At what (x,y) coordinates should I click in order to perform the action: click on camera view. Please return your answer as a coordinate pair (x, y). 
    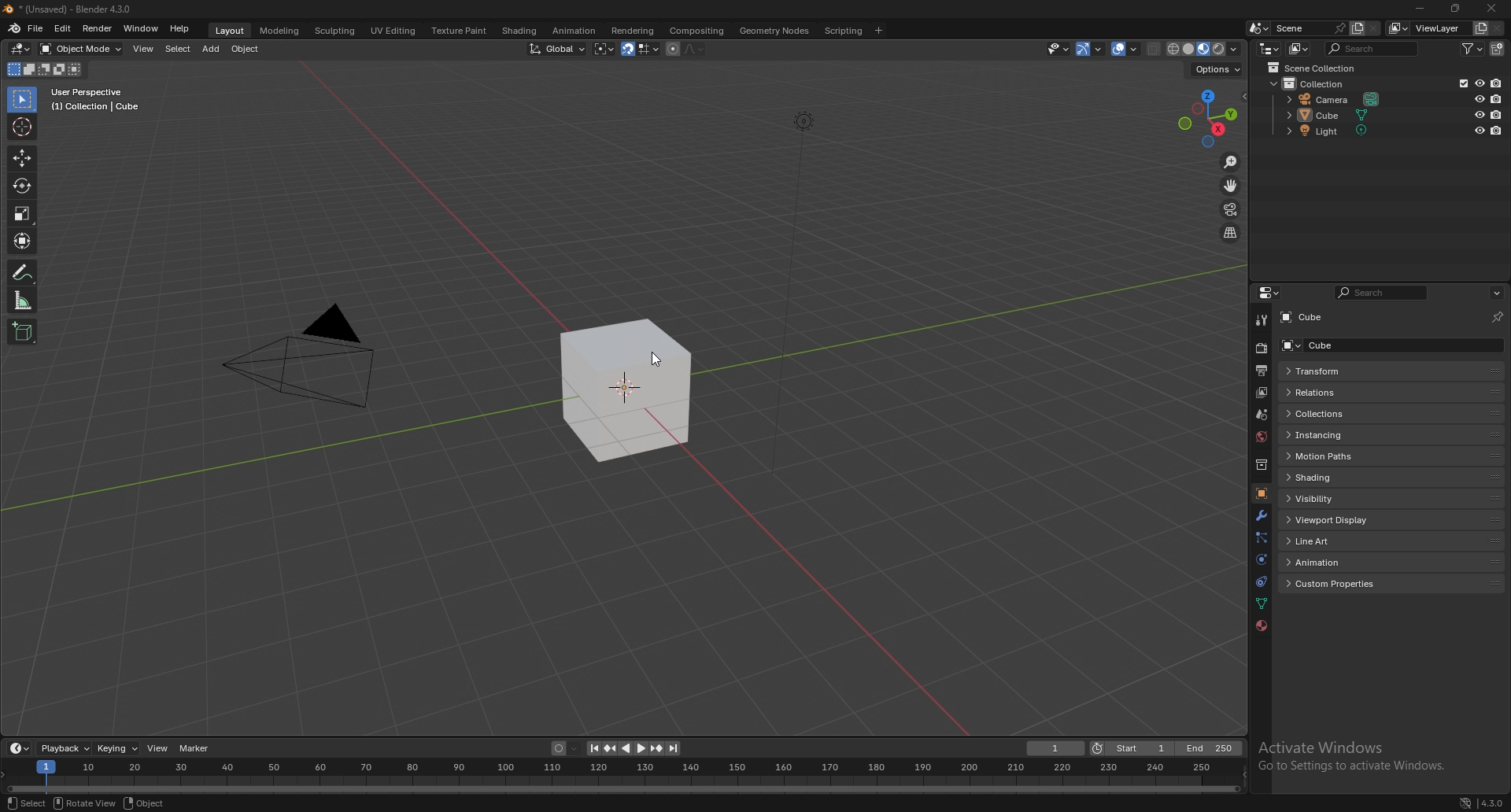
    Looking at the image, I should click on (1230, 210).